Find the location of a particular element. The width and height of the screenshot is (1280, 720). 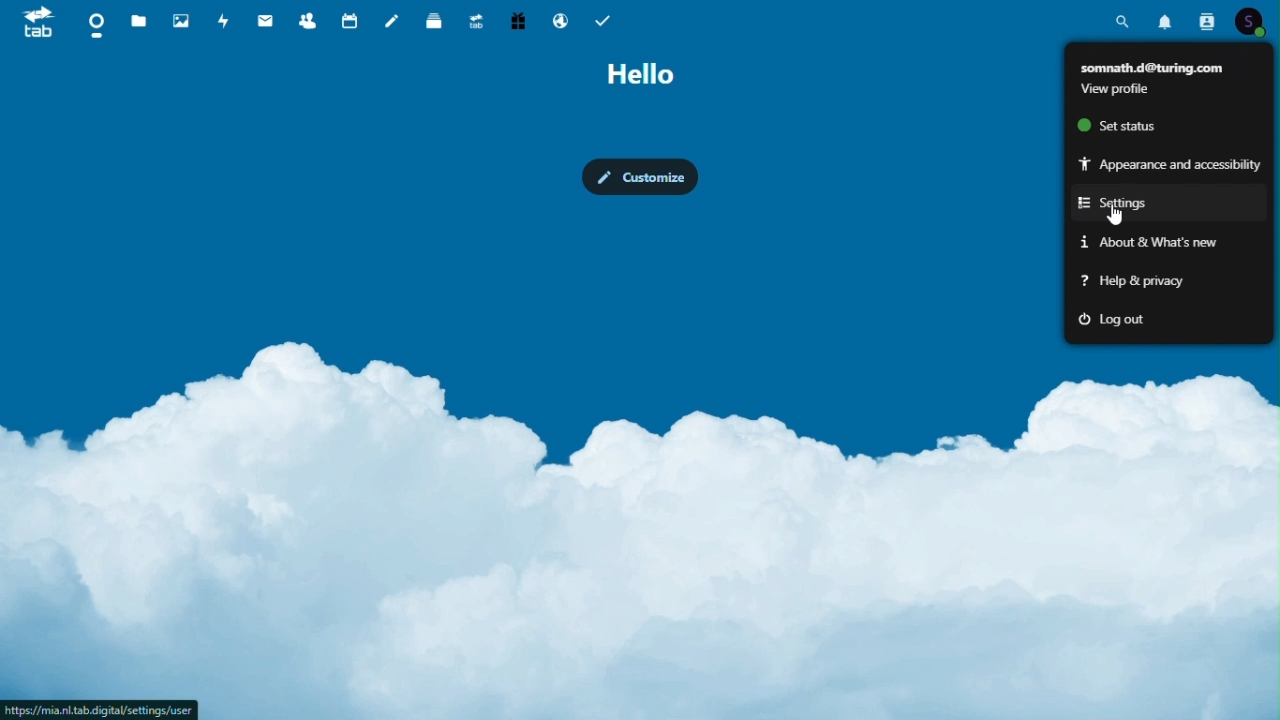

Email hosting is located at coordinates (562, 19).